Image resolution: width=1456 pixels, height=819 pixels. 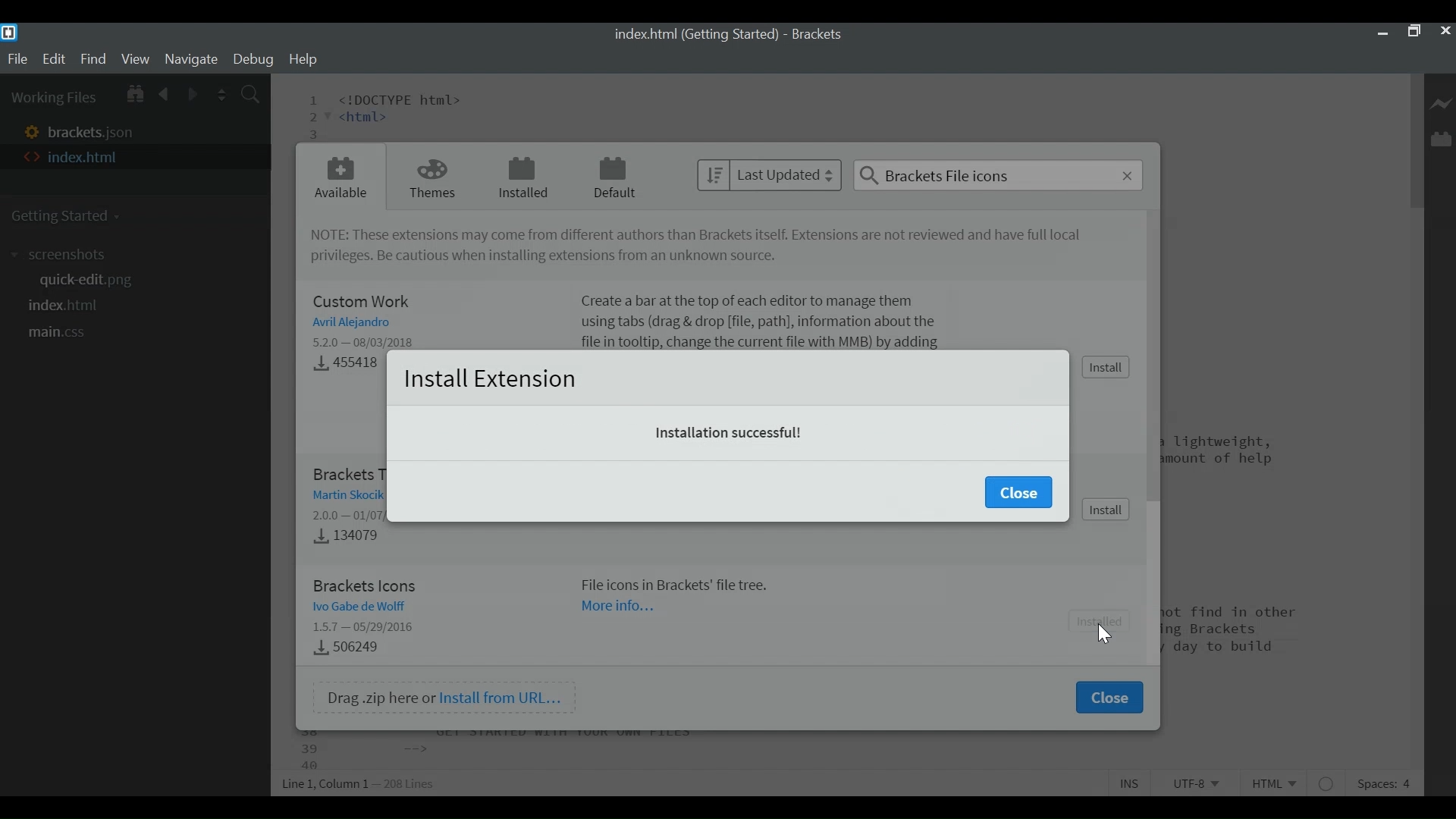 What do you see at coordinates (136, 94) in the screenshot?
I see `Show in File tree` at bounding box center [136, 94].